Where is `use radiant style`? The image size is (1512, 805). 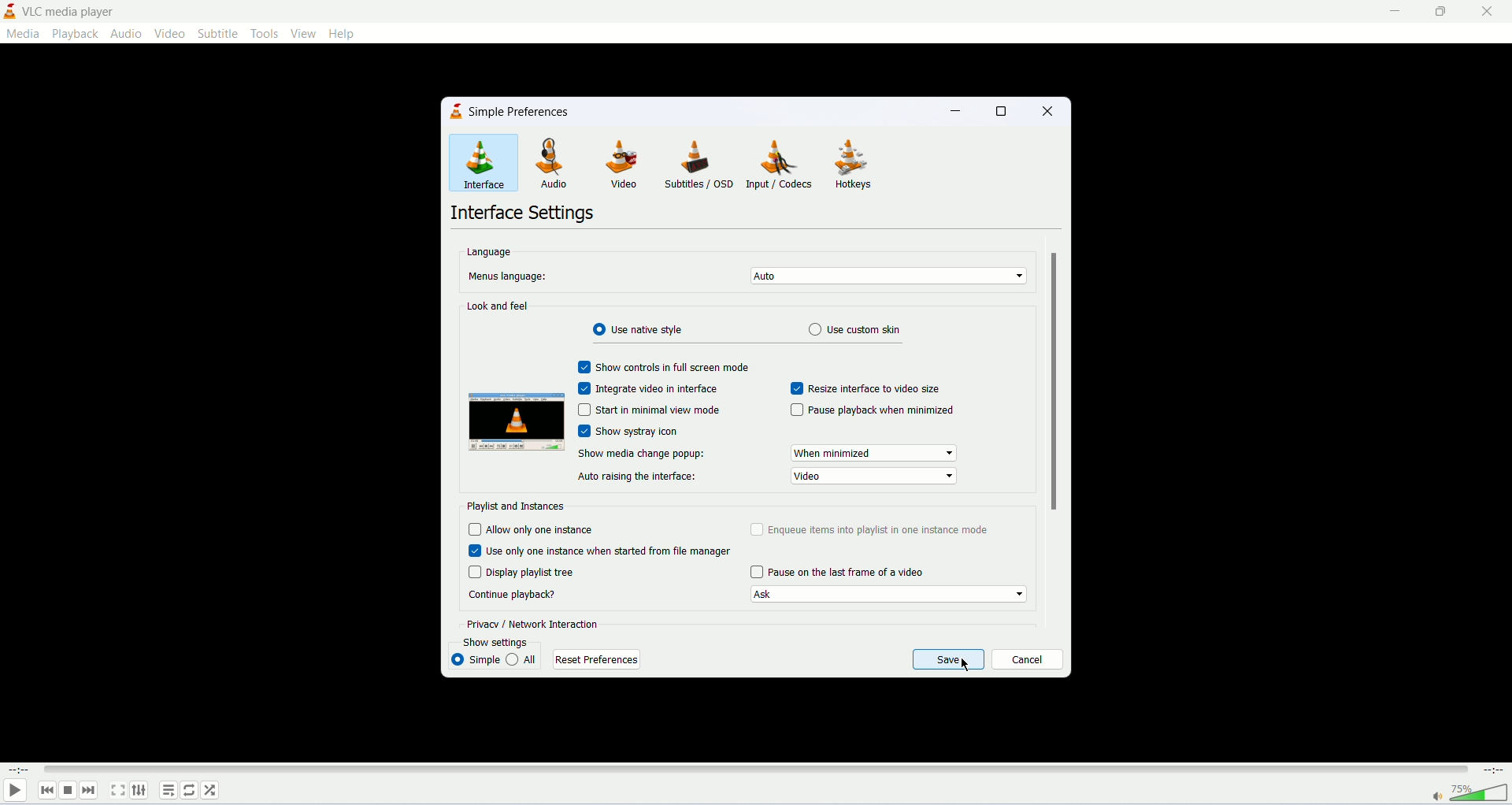
use radiant style is located at coordinates (642, 329).